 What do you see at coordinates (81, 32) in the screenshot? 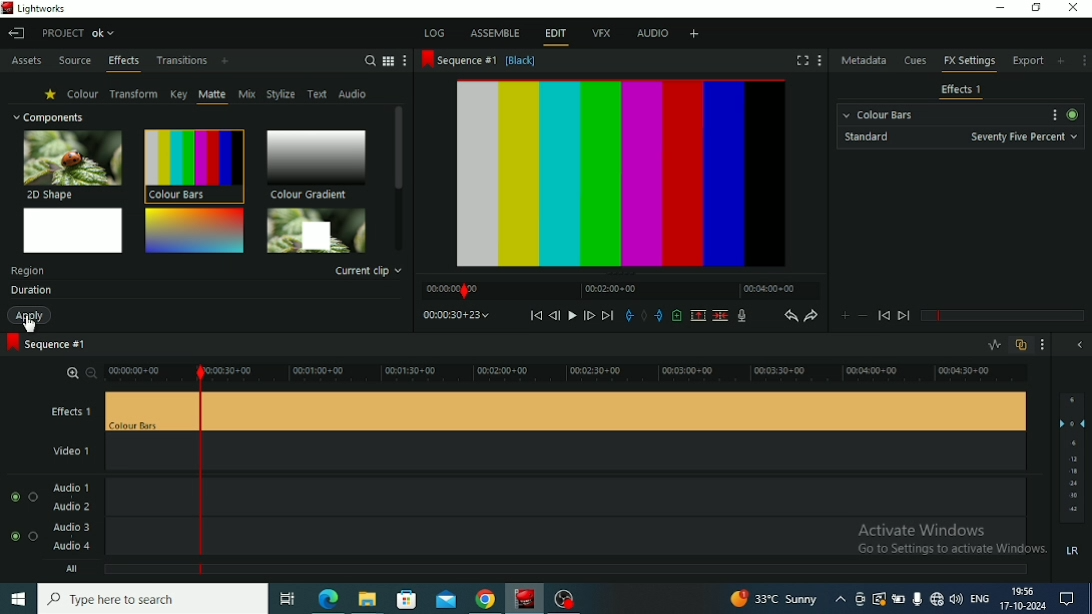
I see `Project status bar` at bounding box center [81, 32].